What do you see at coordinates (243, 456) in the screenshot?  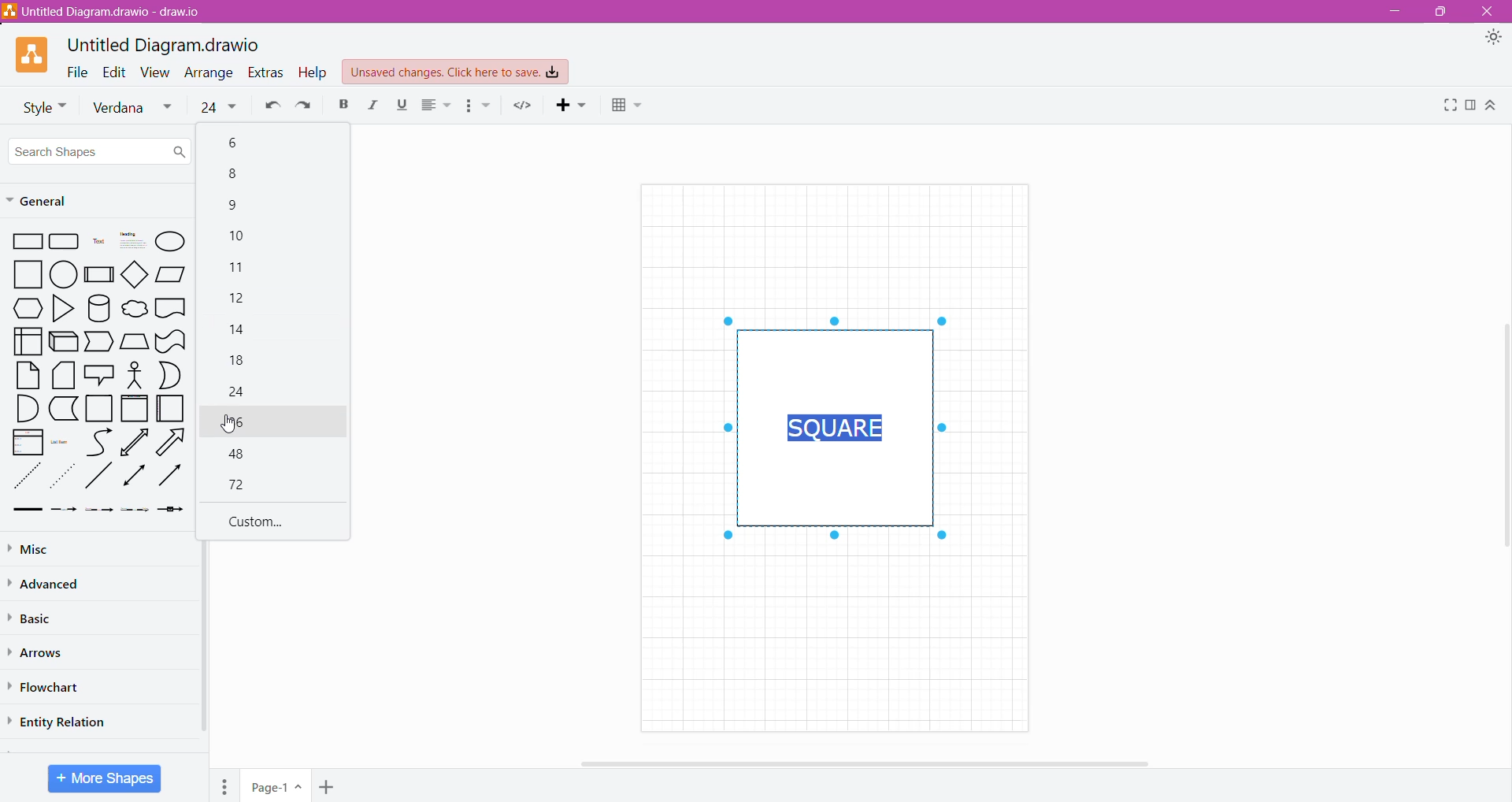 I see `48` at bounding box center [243, 456].